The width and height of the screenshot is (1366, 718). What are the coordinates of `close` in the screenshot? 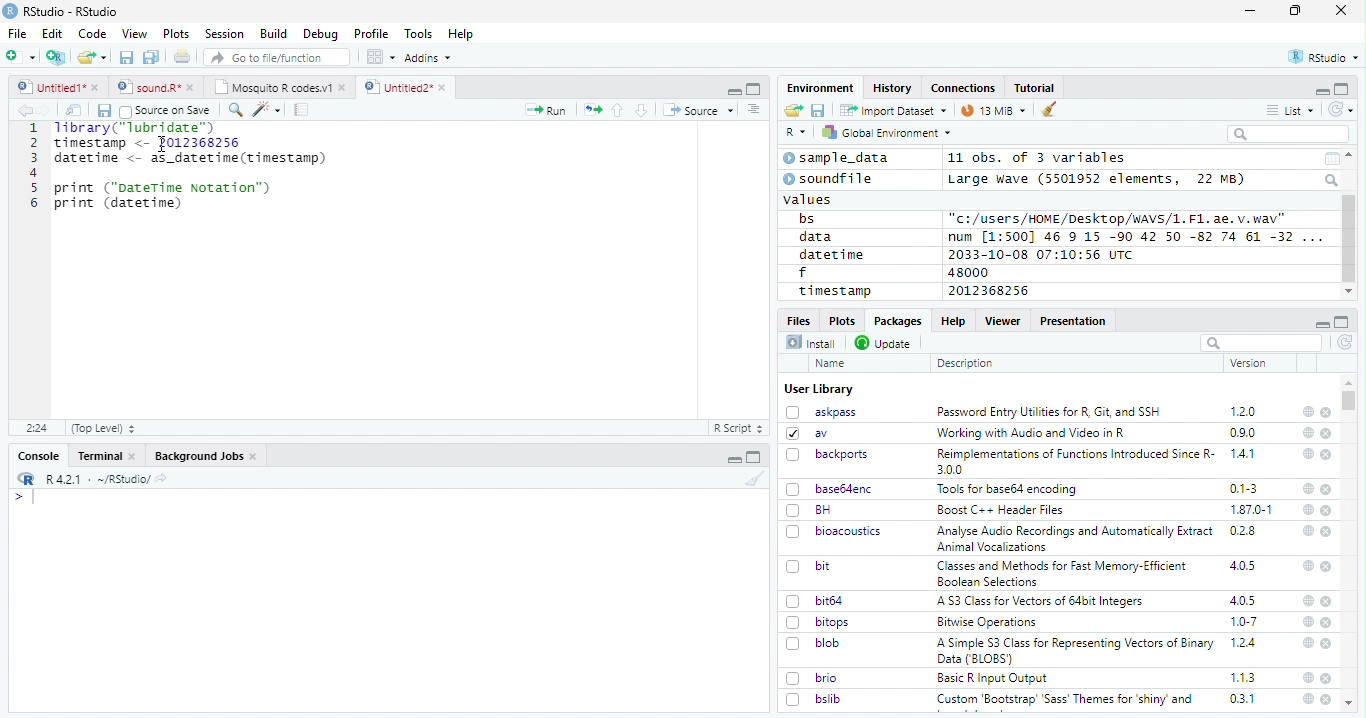 It's located at (1327, 434).